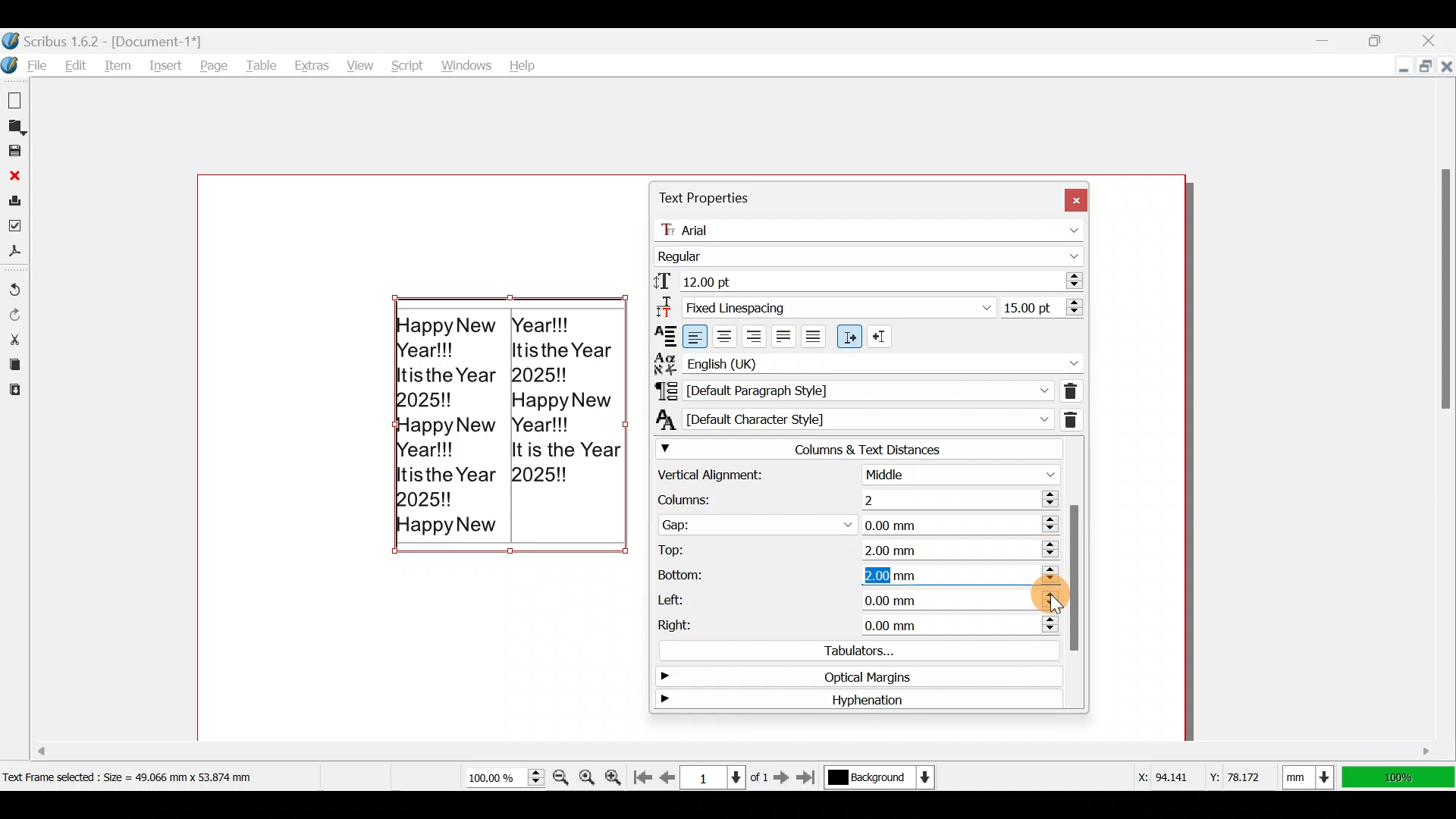 The width and height of the screenshot is (1456, 819). I want to click on Select current units, so click(1312, 774).